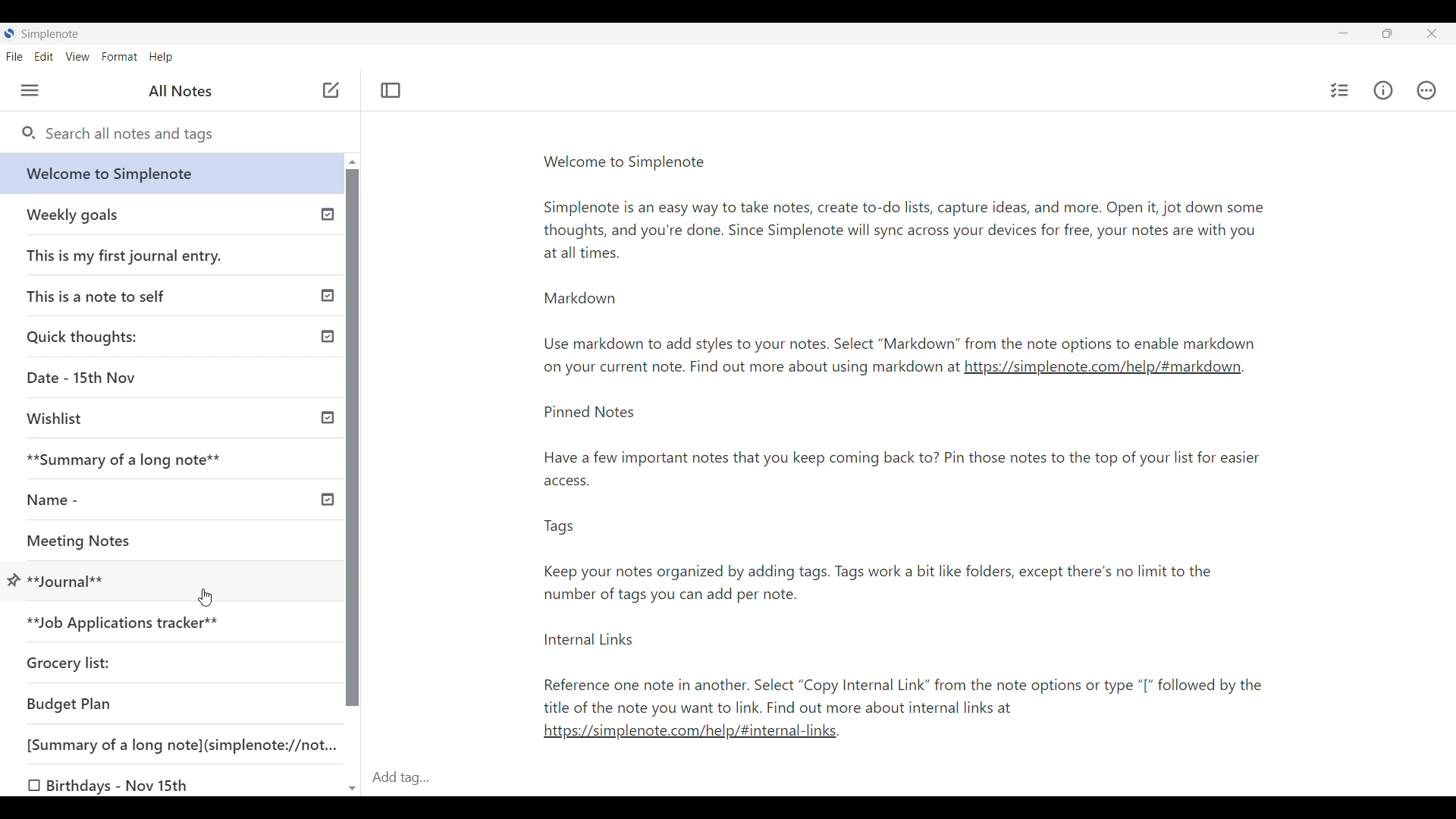 The height and width of the screenshot is (819, 1456). Describe the element at coordinates (391, 90) in the screenshot. I see `Toggle focus mode` at that location.